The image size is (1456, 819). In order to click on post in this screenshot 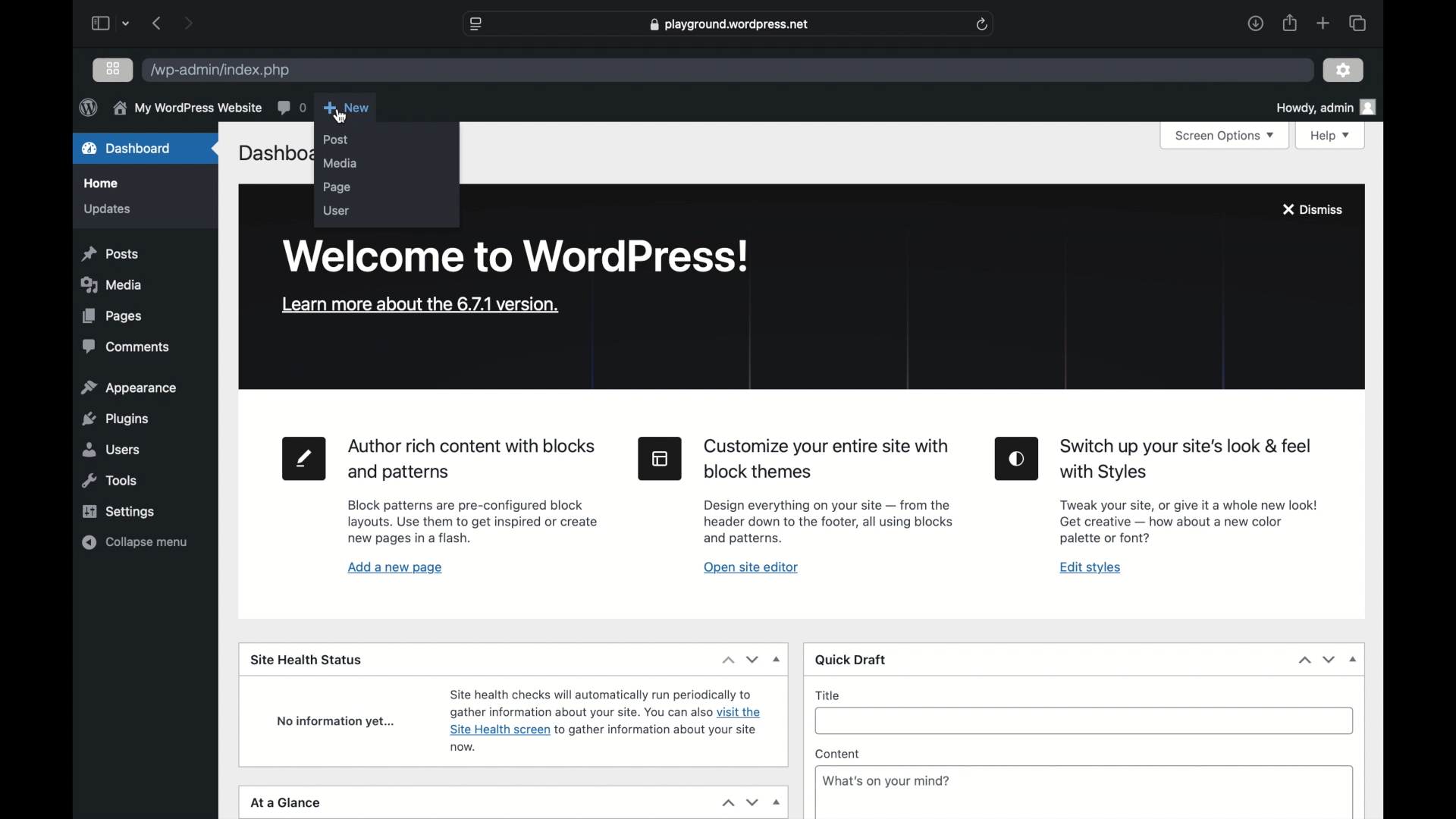, I will do `click(336, 140)`.